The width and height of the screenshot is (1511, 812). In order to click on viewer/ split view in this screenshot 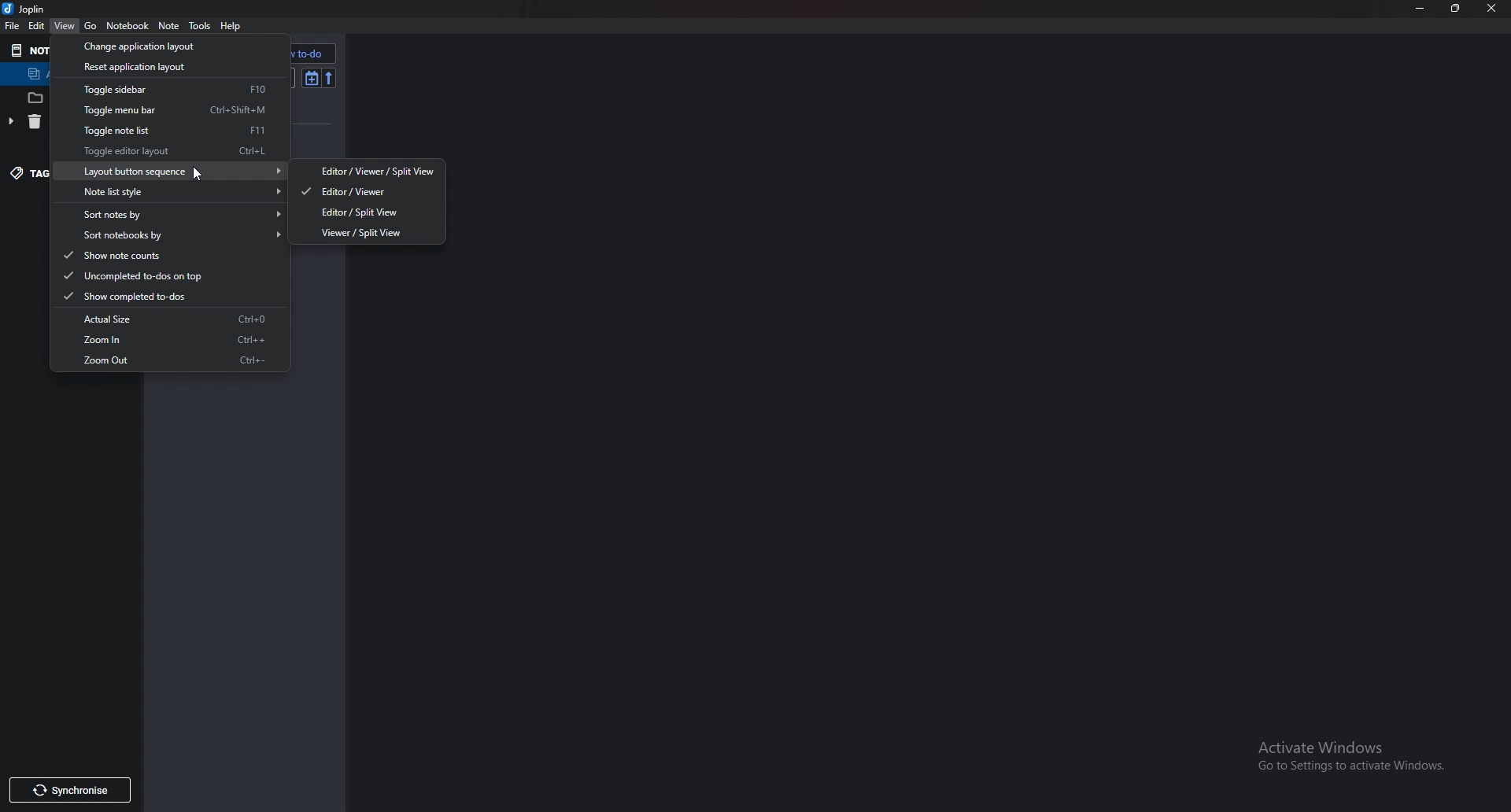, I will do `click(374, 232)`.